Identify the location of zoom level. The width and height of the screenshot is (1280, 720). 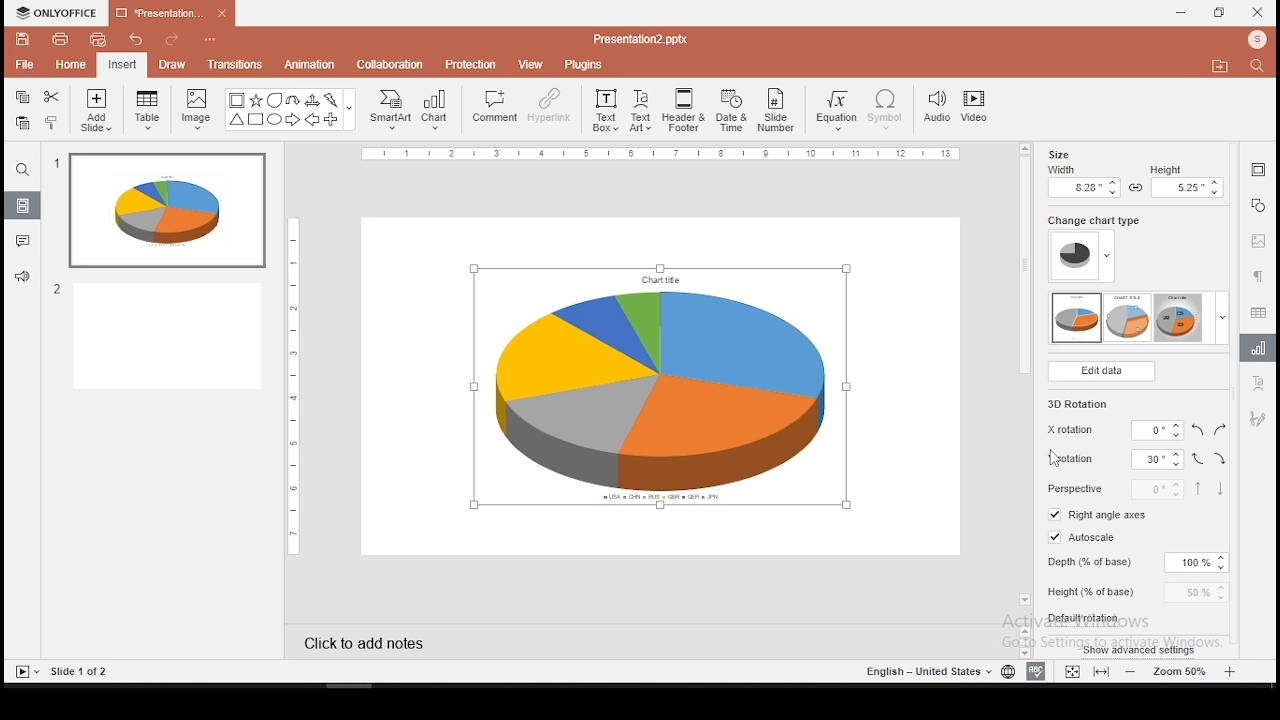
(1184, 671).